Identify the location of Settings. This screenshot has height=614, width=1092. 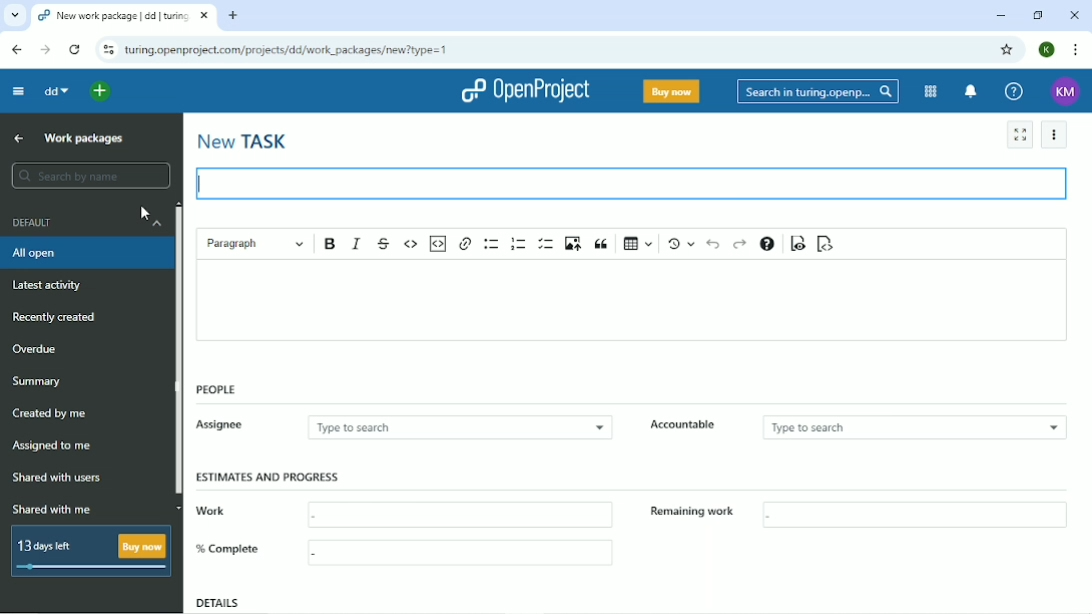
(1054, 134).